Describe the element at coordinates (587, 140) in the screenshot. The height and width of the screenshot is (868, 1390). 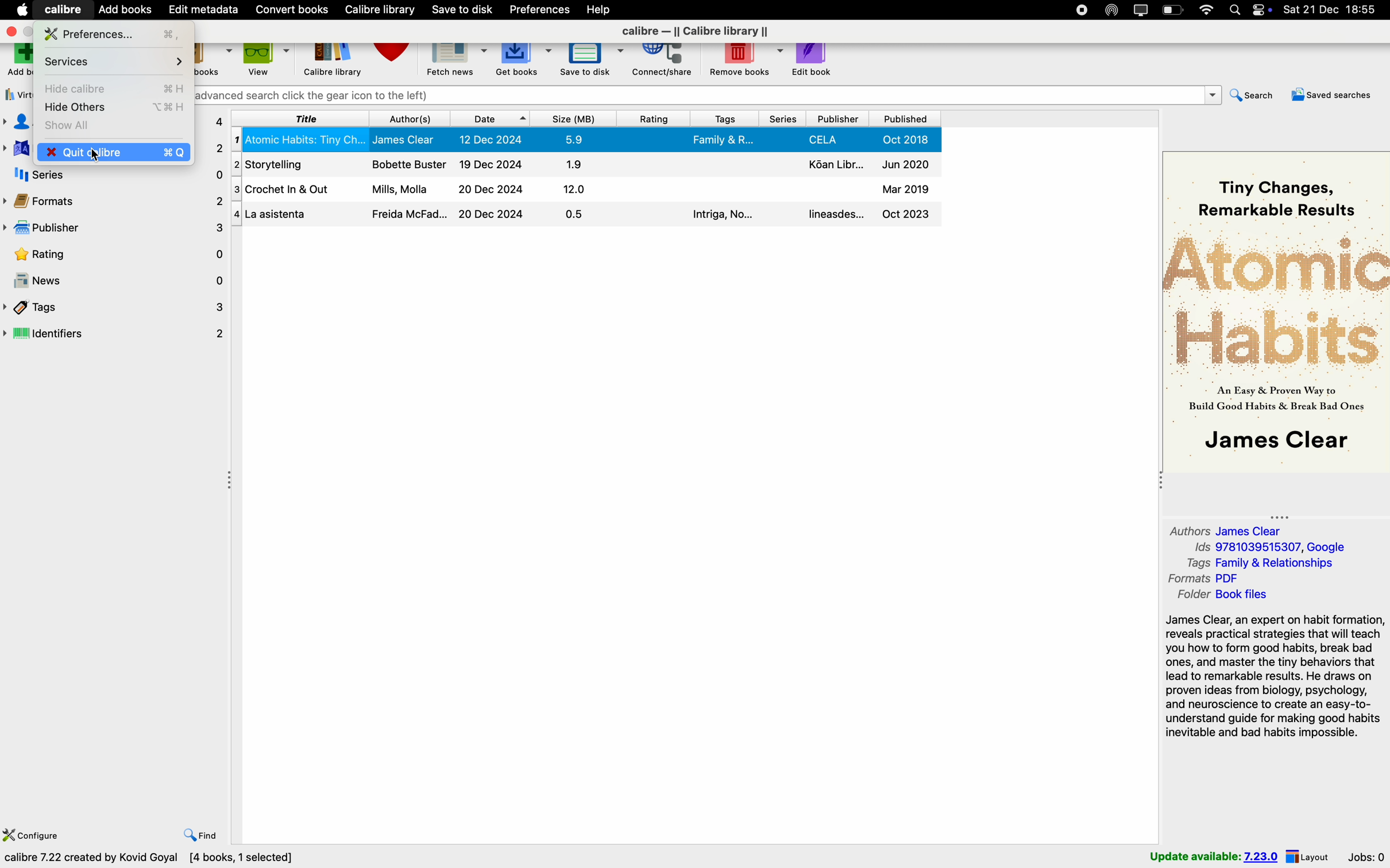
I see `Atomic Habits book details` at that location.